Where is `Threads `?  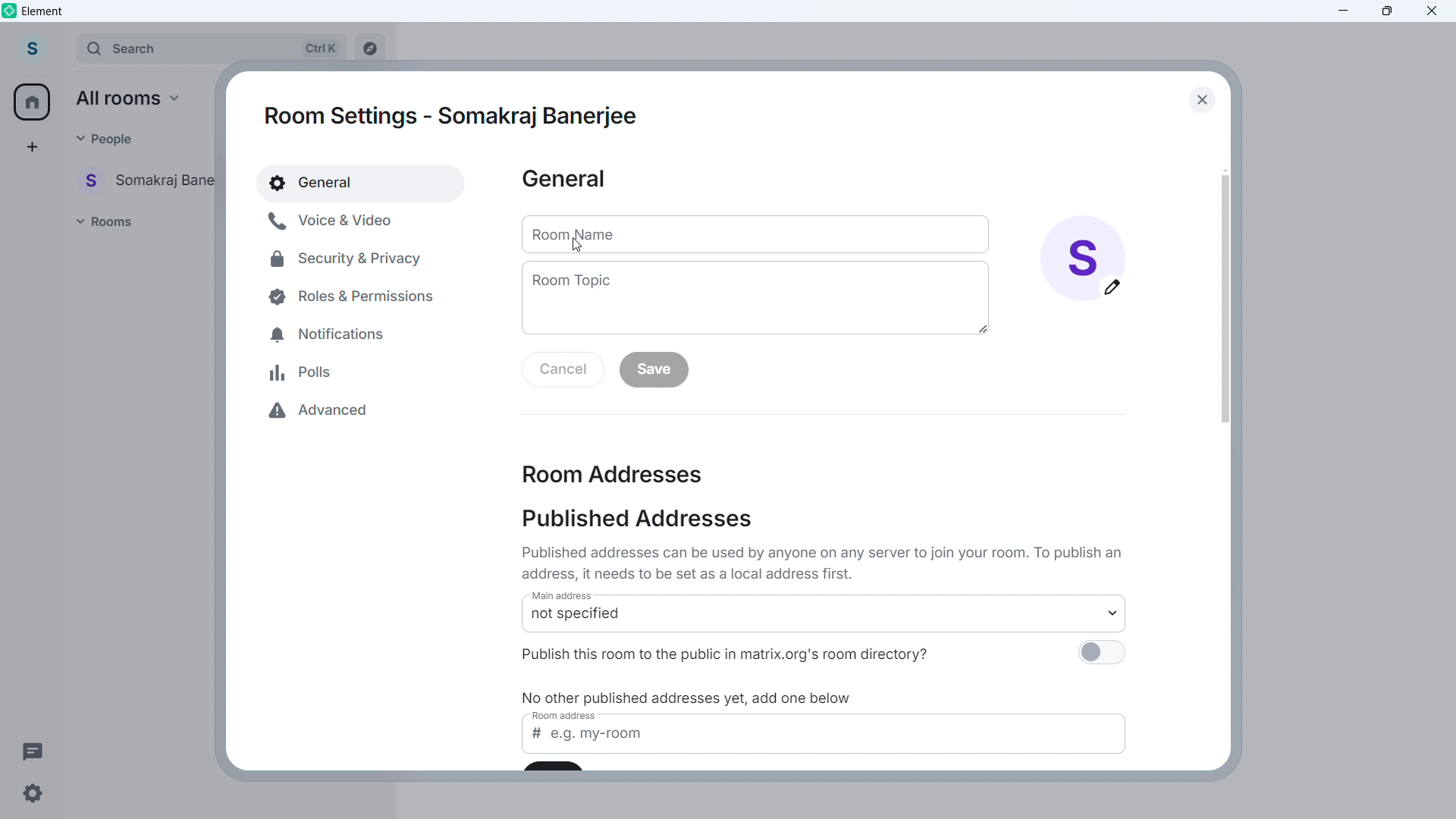
Threads  is located at coordinates (32, 750).